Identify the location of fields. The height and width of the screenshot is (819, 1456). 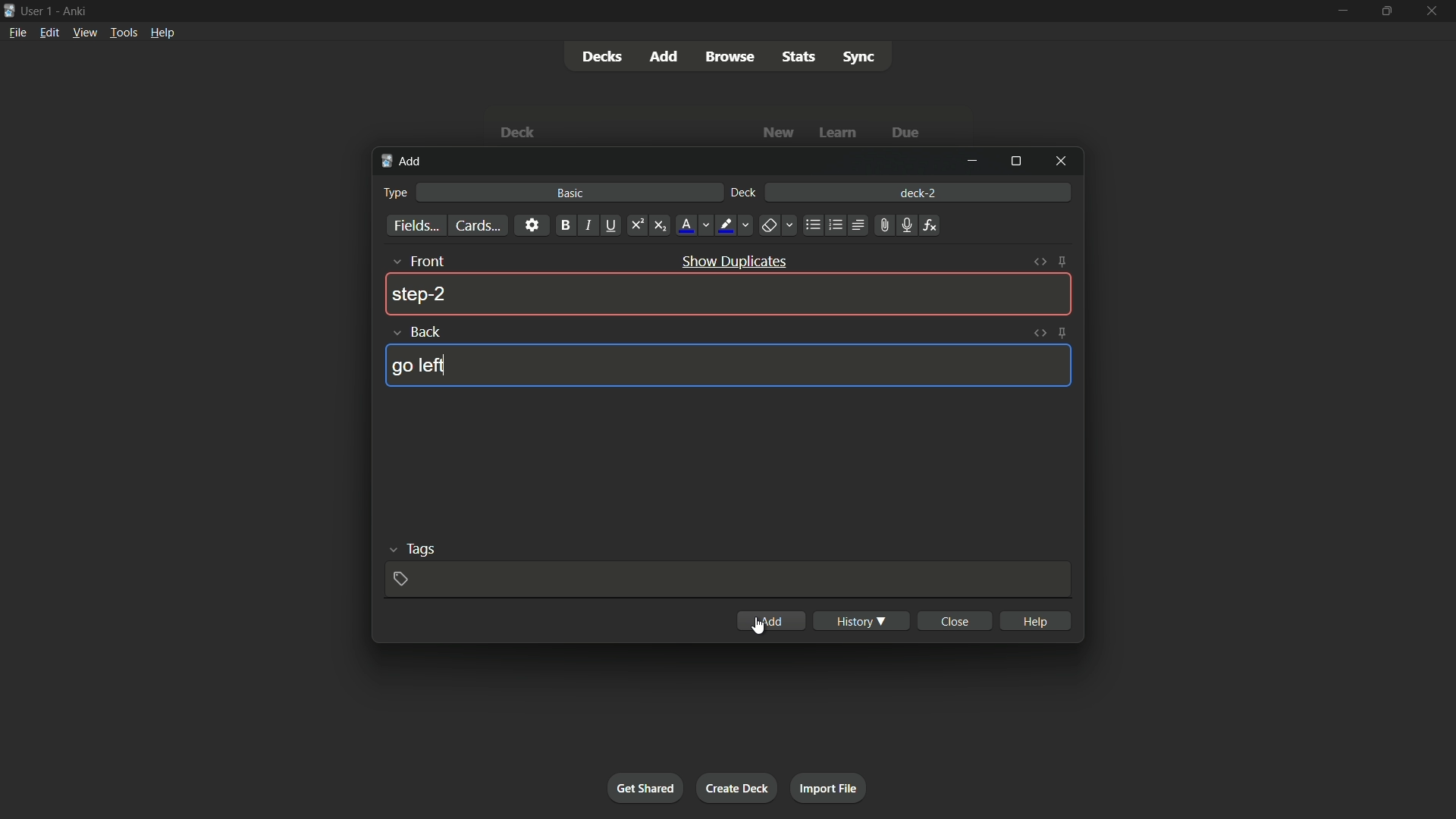
(417, 226).